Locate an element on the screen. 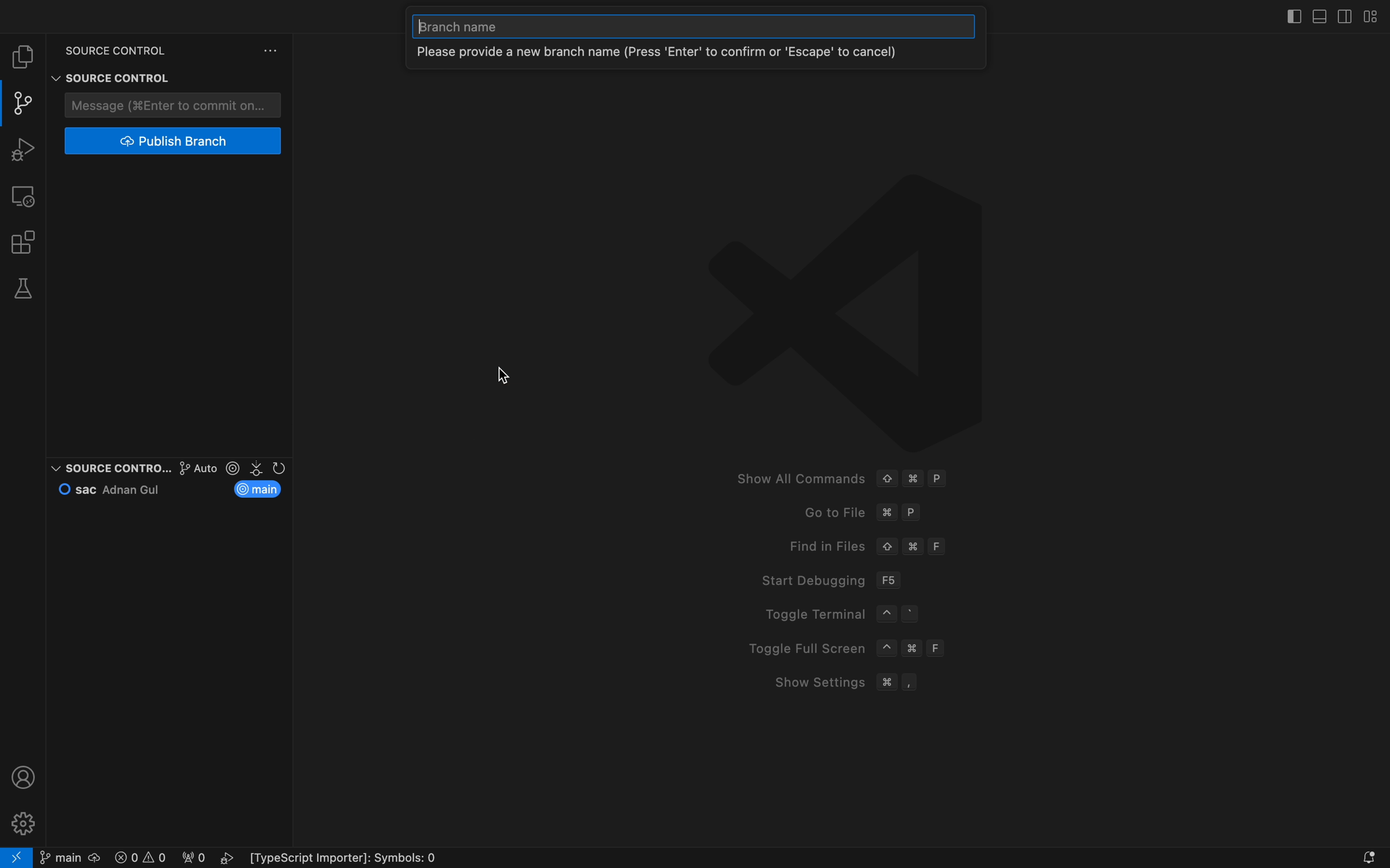 Image resolution: width=1390 pixels, height=868 pixels. version control section is located at coordinates (258, 468).